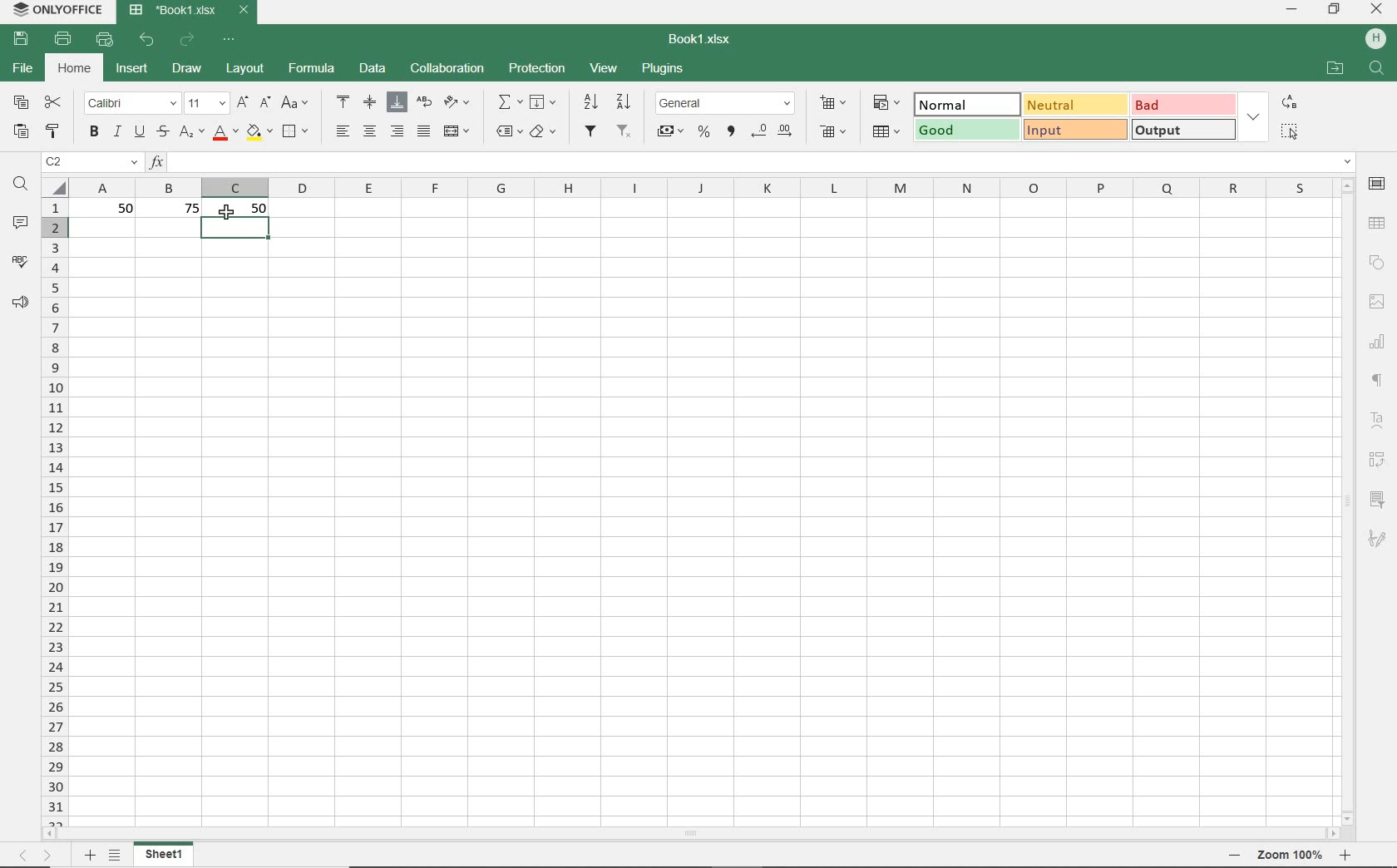 The width and height of the screenshot is (1397, 868). What do you see at coordinates (457, 131) in the screenshot?
I see `merge & center` at bounding box center [457, 131].